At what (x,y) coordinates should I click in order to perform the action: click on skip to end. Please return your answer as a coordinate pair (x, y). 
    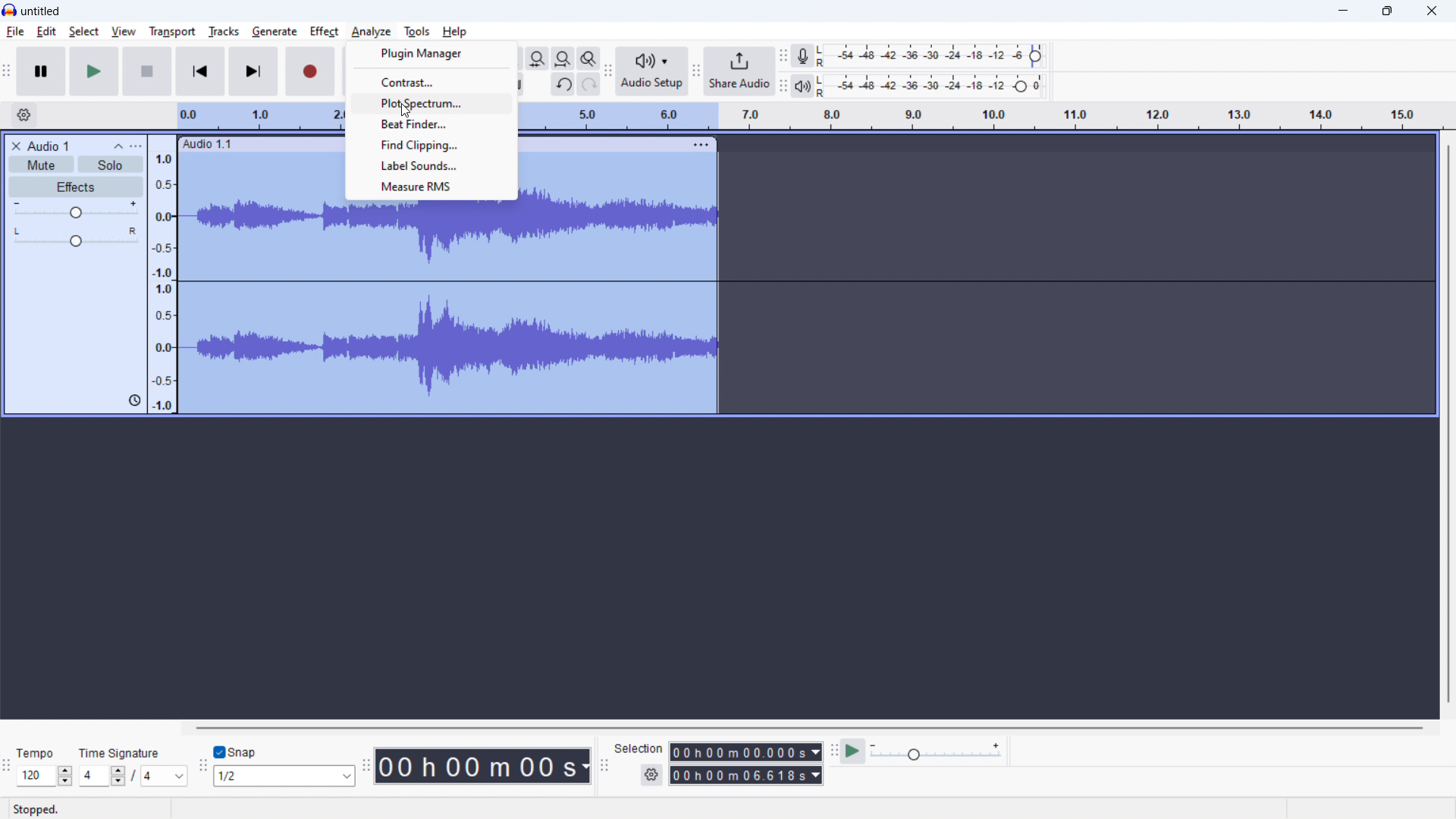
    Looking at the image, I should click on (253, 71).